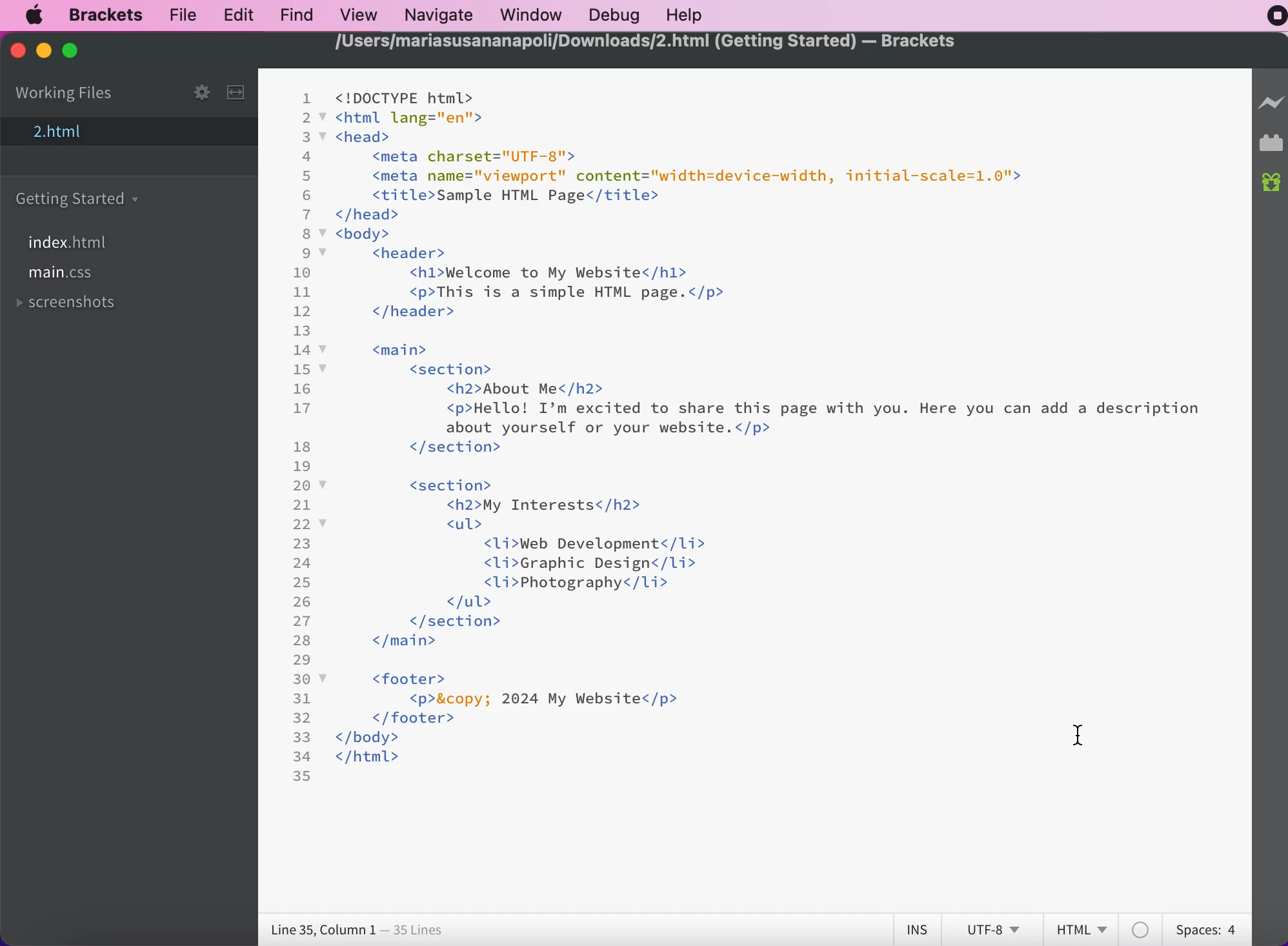  Describe the element at coordinates (303, 446) in the screenshot. I see `18` at that location.